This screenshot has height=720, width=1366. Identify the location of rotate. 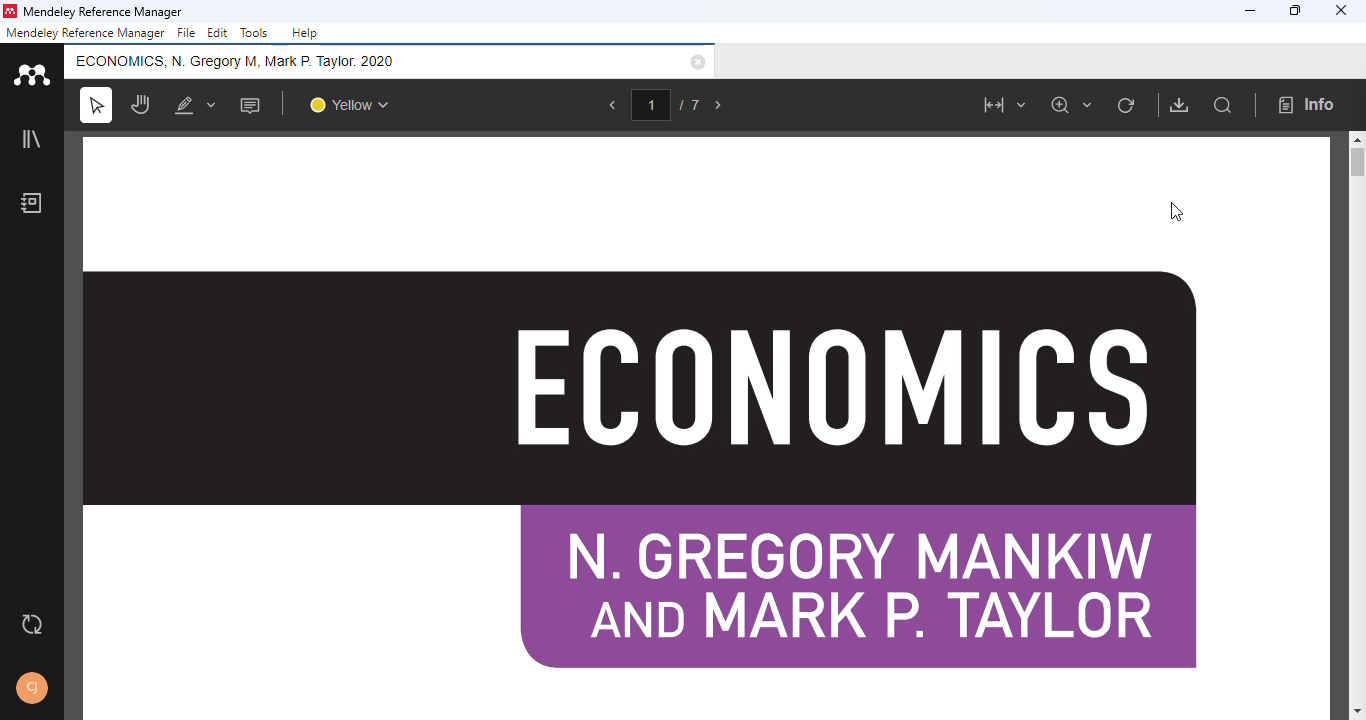
(1126, 106).